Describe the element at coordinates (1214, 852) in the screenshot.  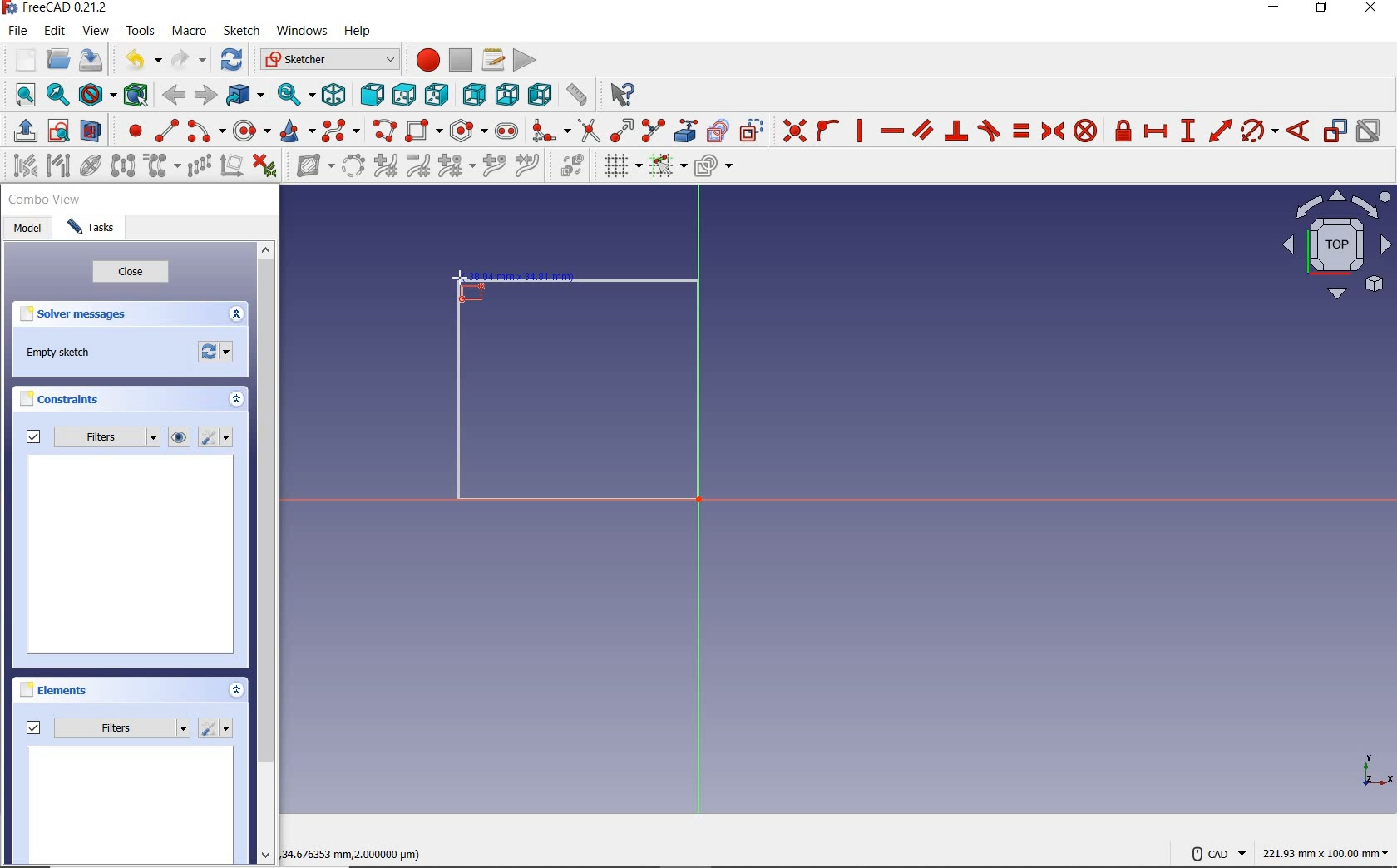
I see `CAD Navigation style` at that location.